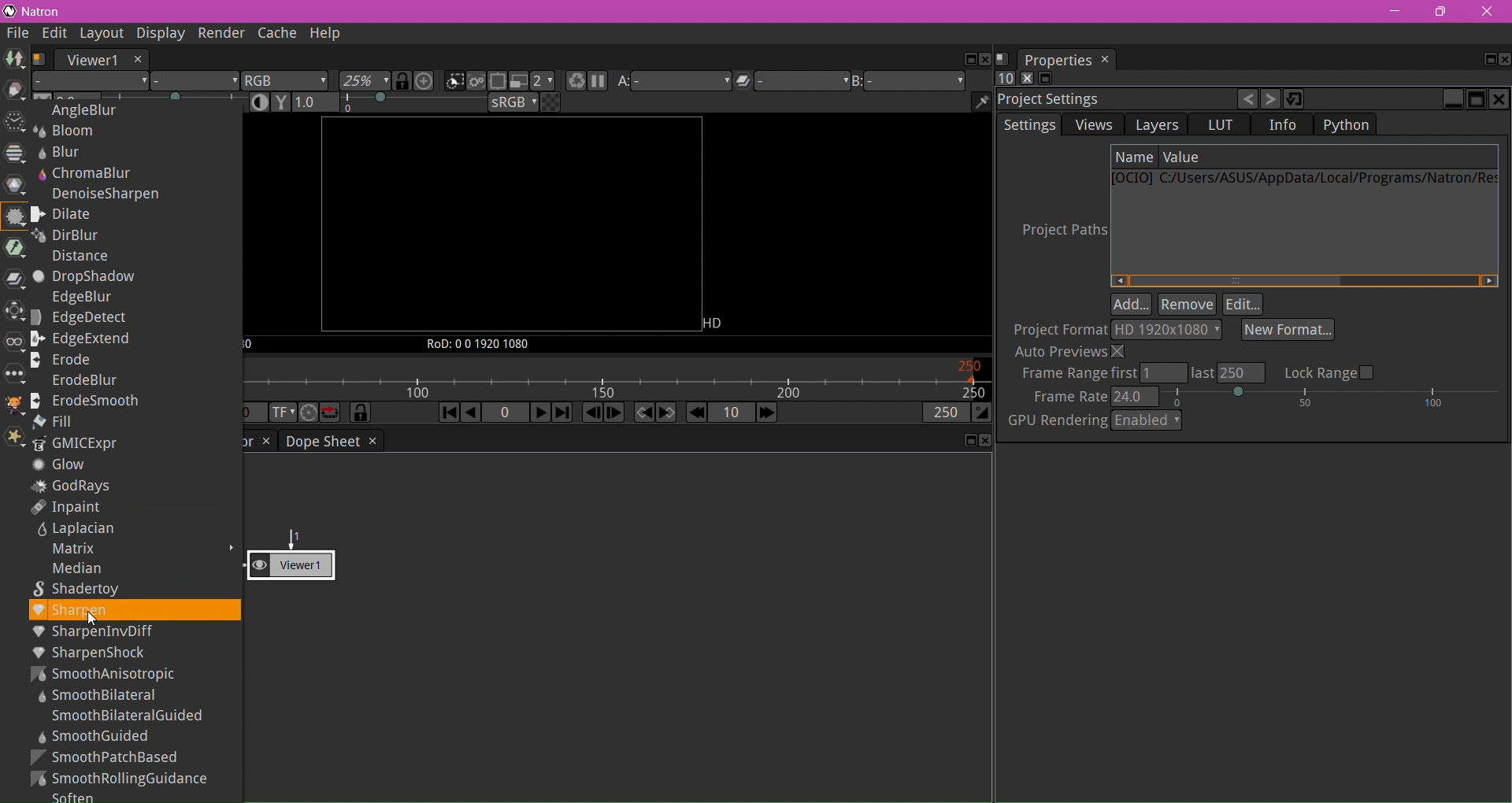 This screenshot has height=803, width=1512. I want to click on Settings, so click(1029, 125).